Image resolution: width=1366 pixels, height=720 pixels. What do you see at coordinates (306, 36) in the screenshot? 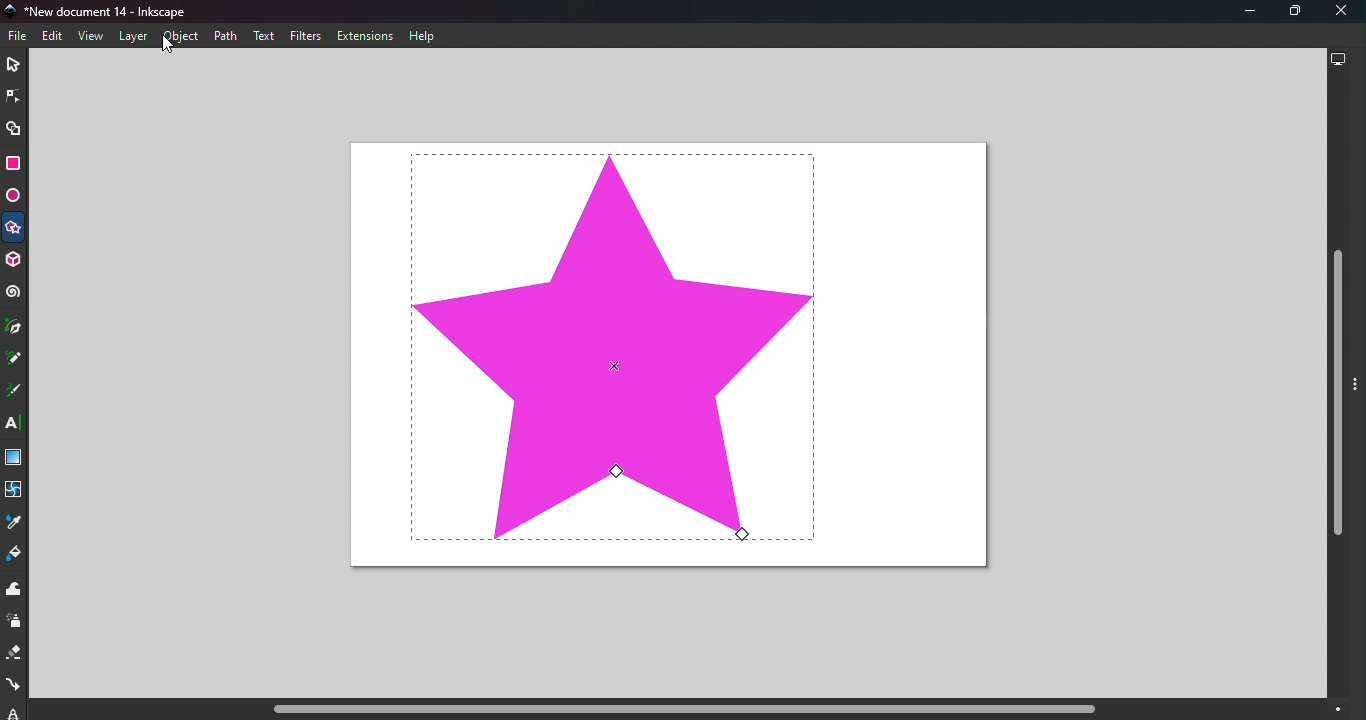
I see `Filters` at bounding box center [306, 36].